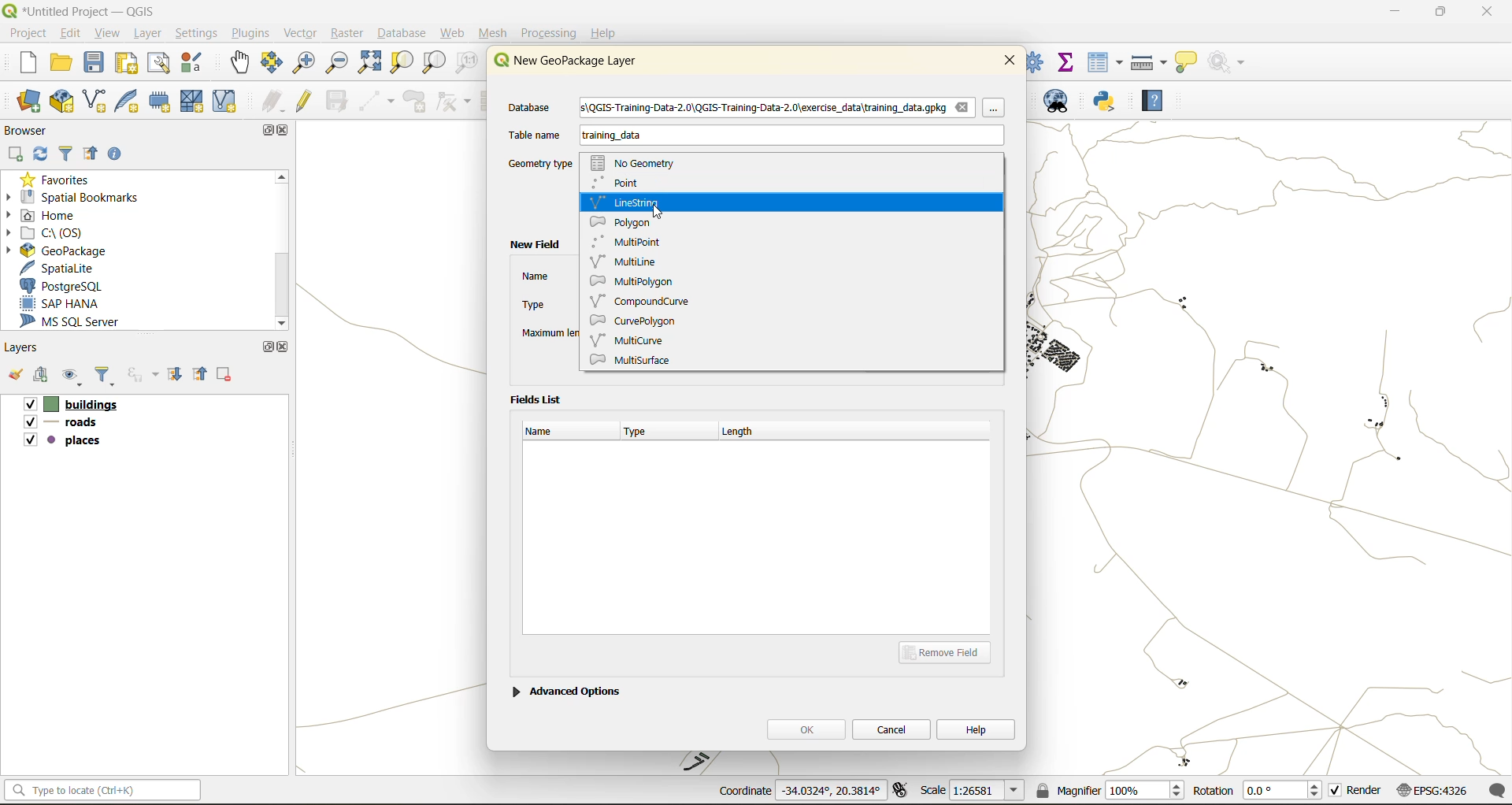  What do you see at coordinates (1228, 59) in the screenshot?
I see `no action` at bounding box center [1228, 59].